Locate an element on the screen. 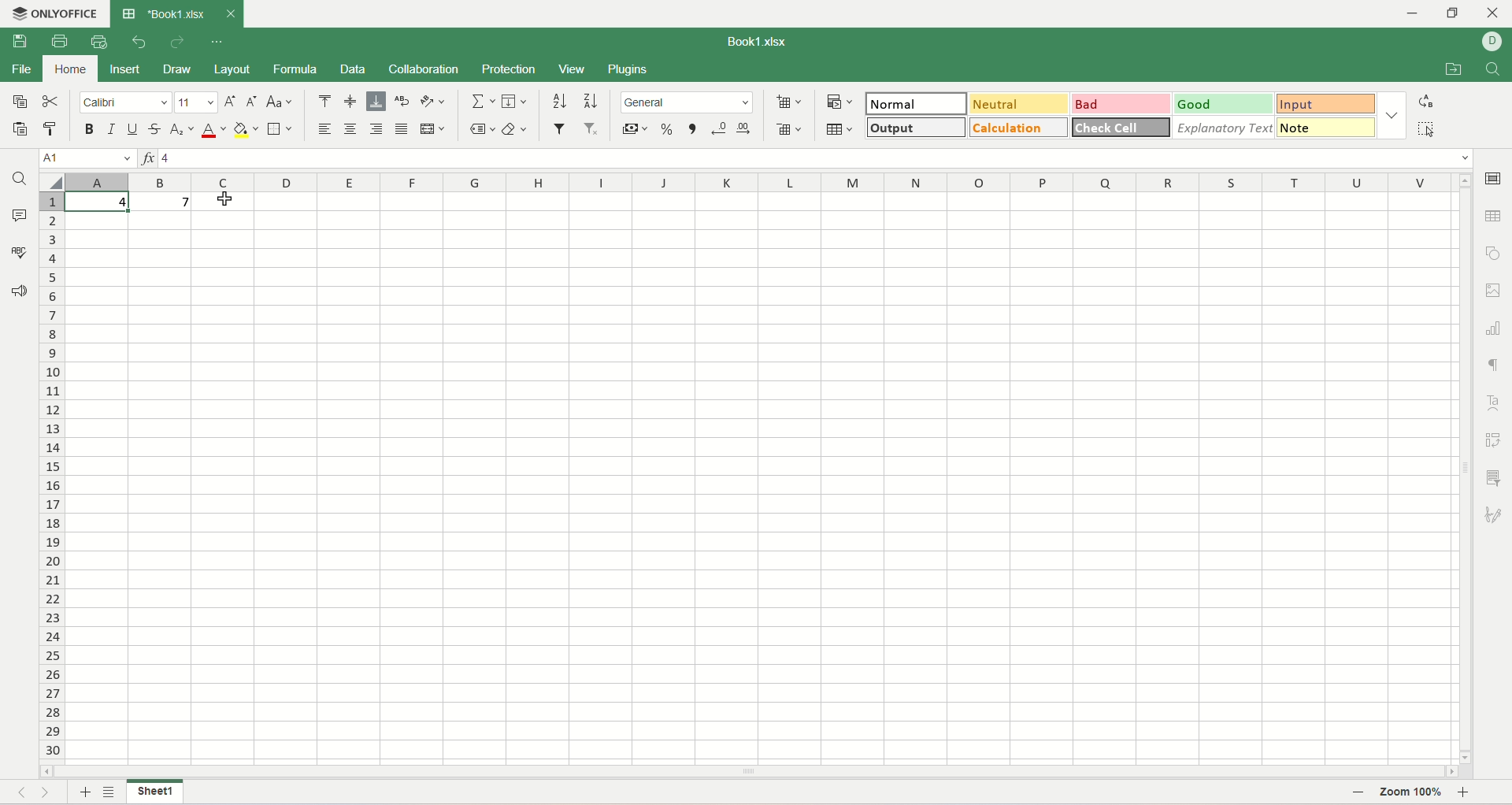  row number is located at coordinates (50, 472).